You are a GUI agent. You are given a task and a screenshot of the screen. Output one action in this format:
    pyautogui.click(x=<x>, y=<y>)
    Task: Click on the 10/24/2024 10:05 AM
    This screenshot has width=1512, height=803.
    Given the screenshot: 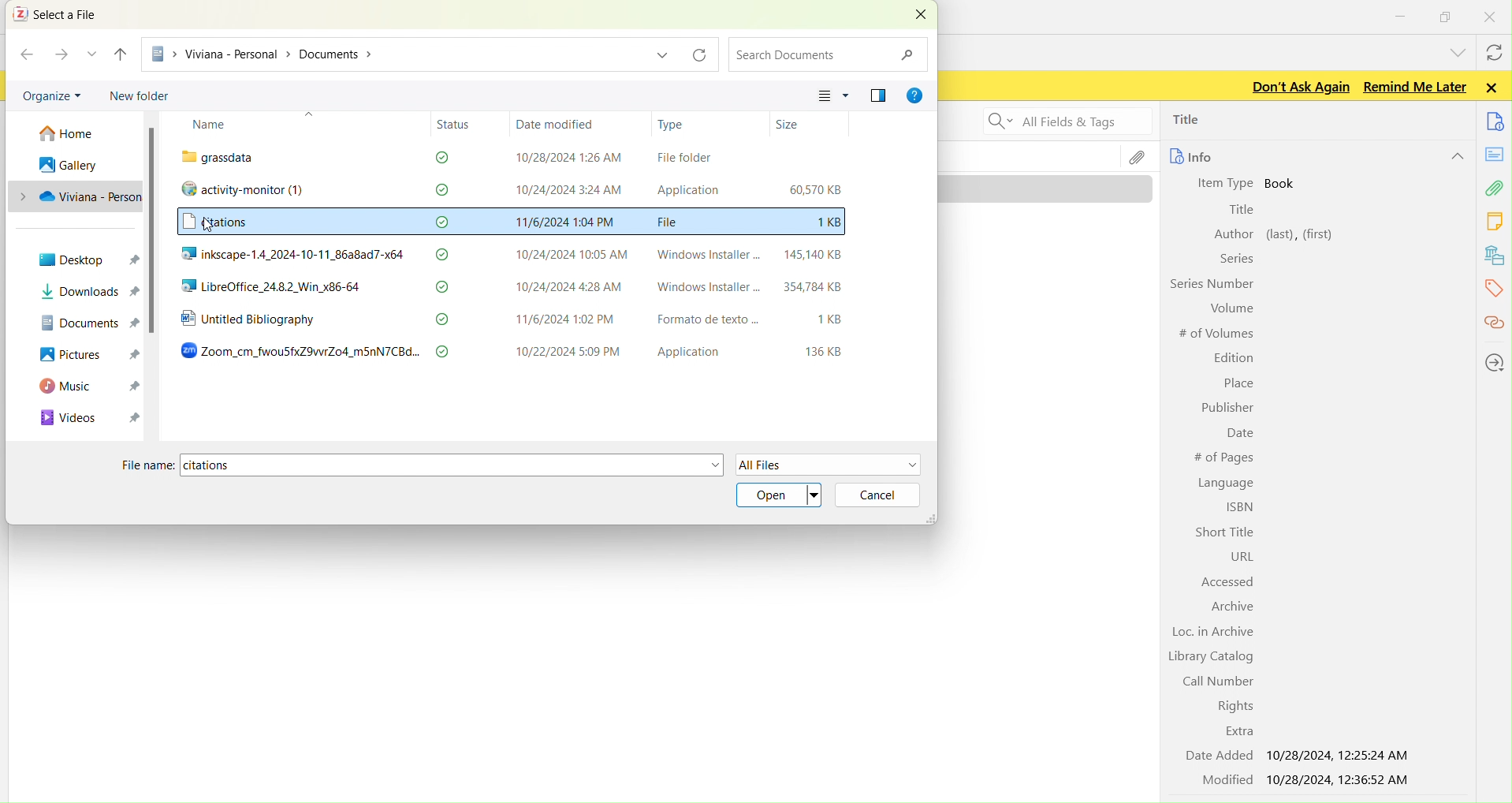 What is the action you would take?
    pyautogui.click(x=560, y=256)
    